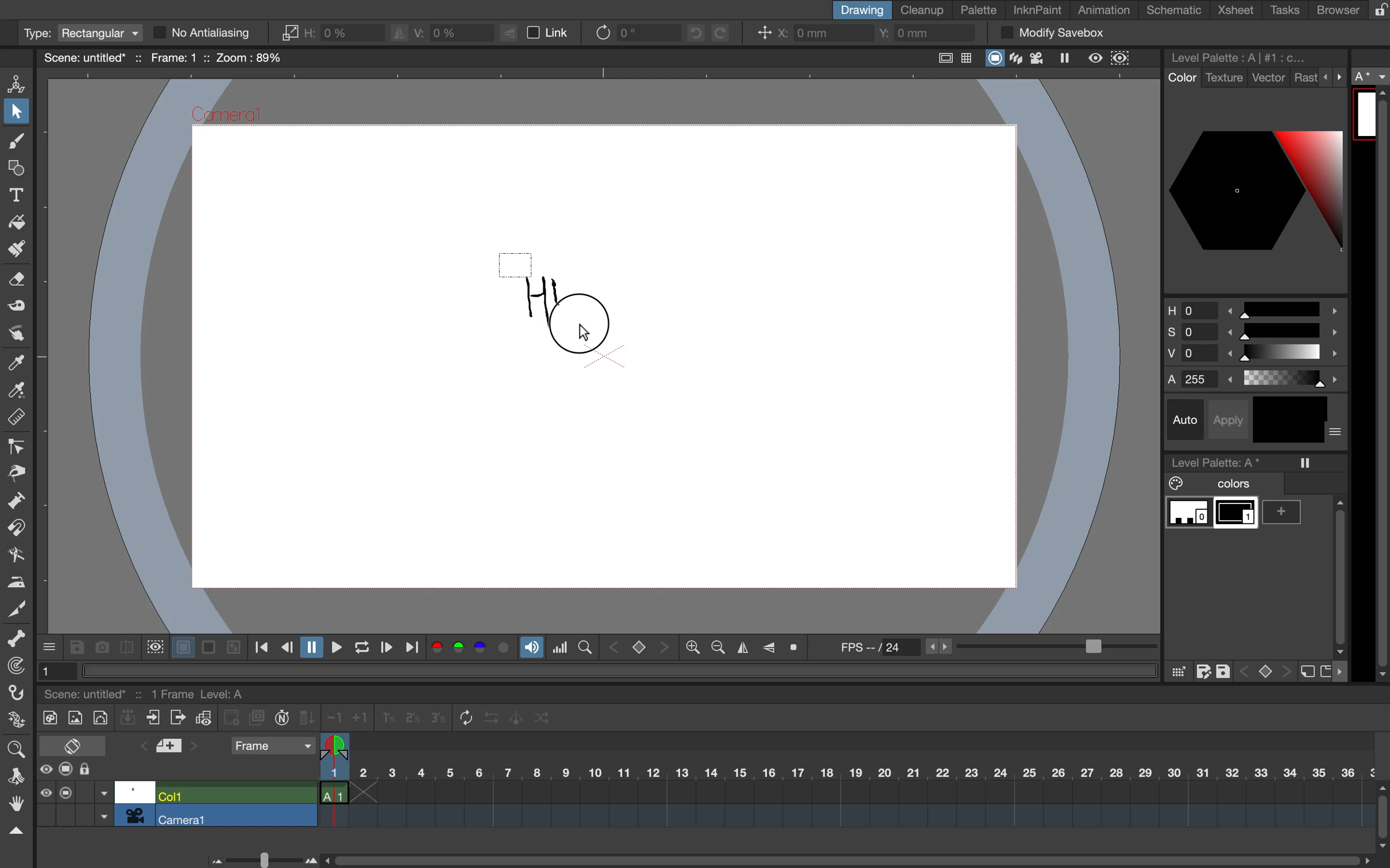 The image size is (1390, 868). I want to click on more options, so click(1334, 76).